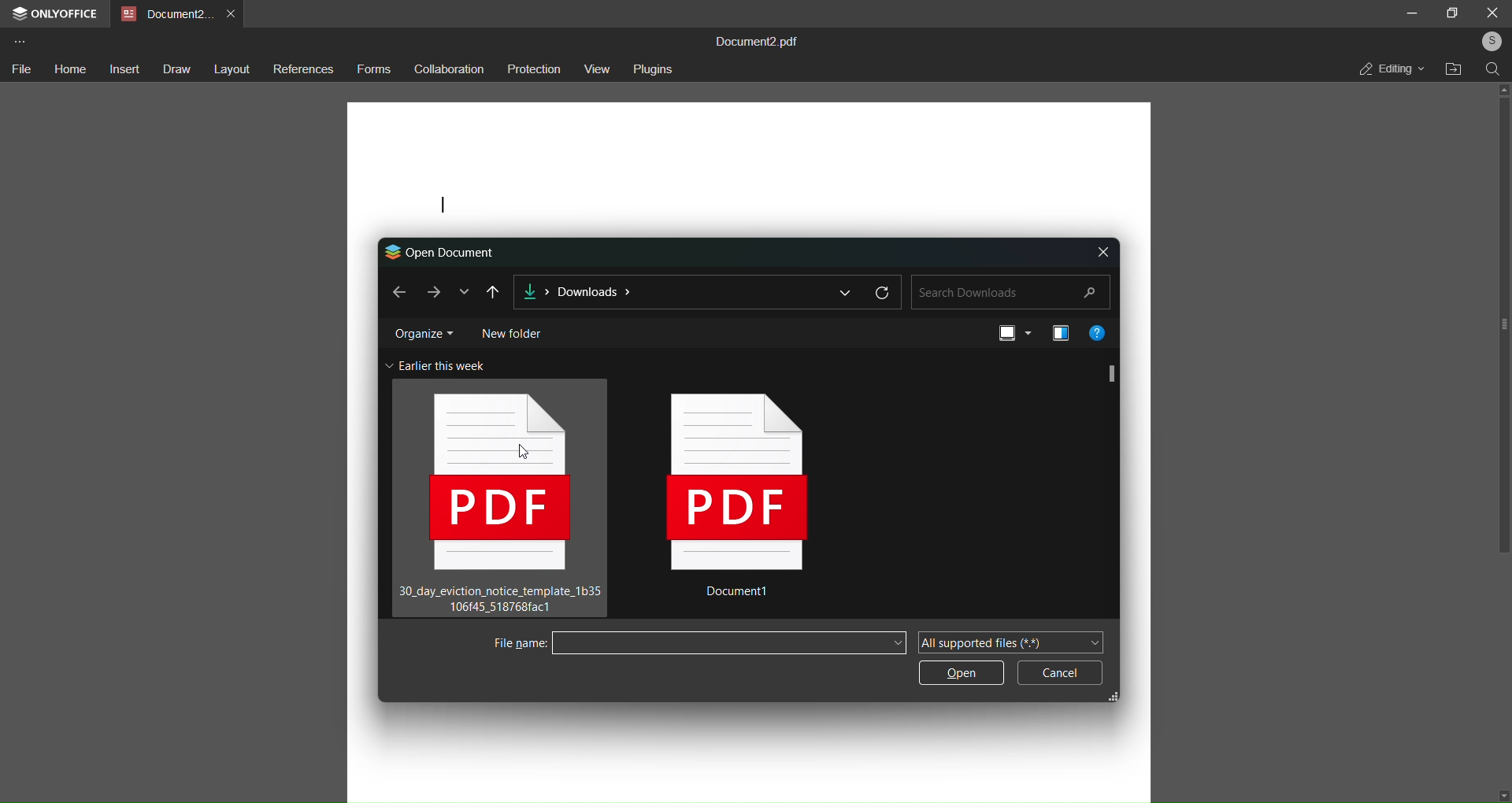  What do you see at coordinates (233, 12) in the screenshot?
I see `close tab` at bounding box center [233, 12].